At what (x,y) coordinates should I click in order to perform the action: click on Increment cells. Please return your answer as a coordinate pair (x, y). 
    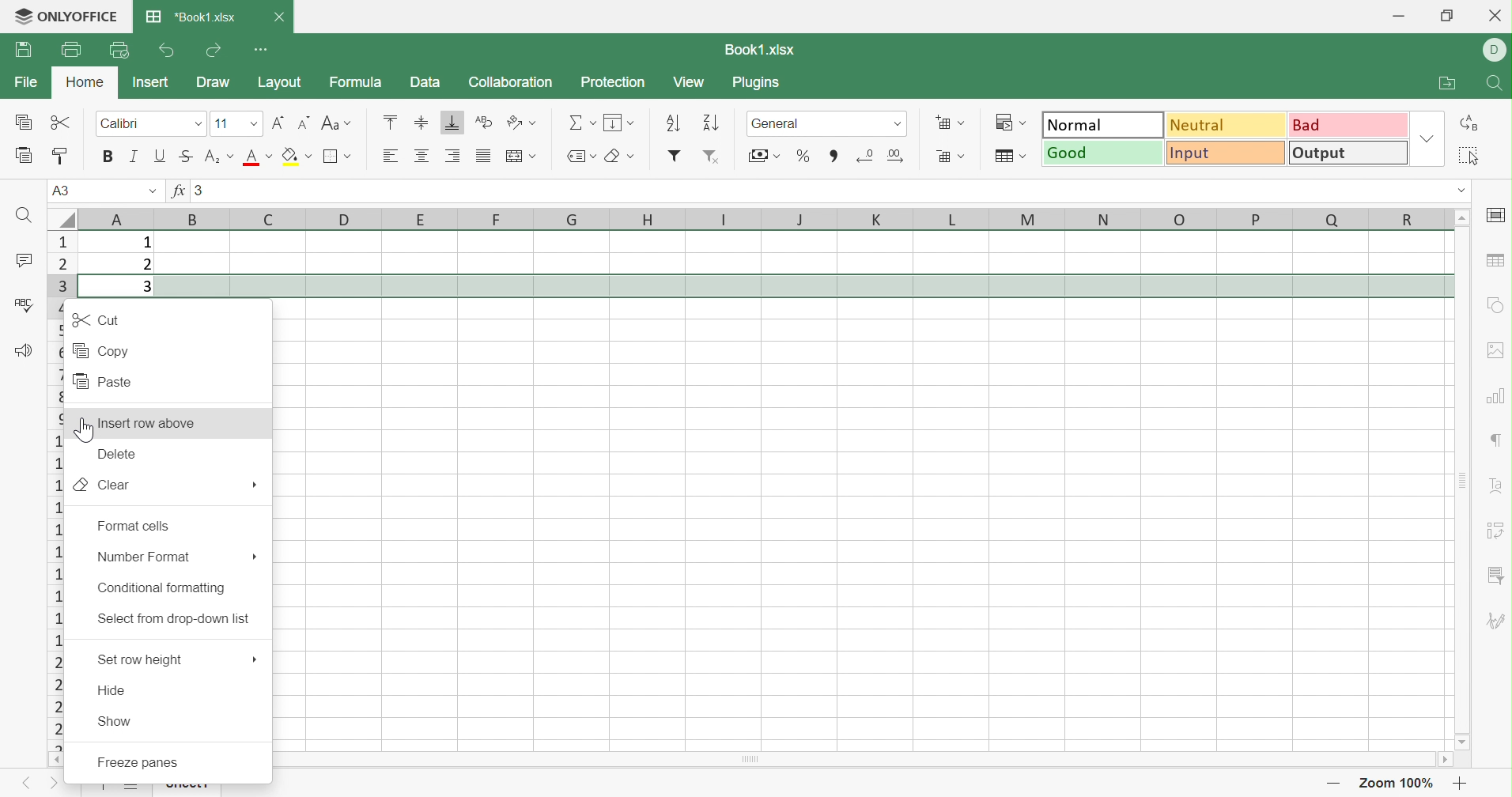
    Looking at the image, I should click on (895, 155).